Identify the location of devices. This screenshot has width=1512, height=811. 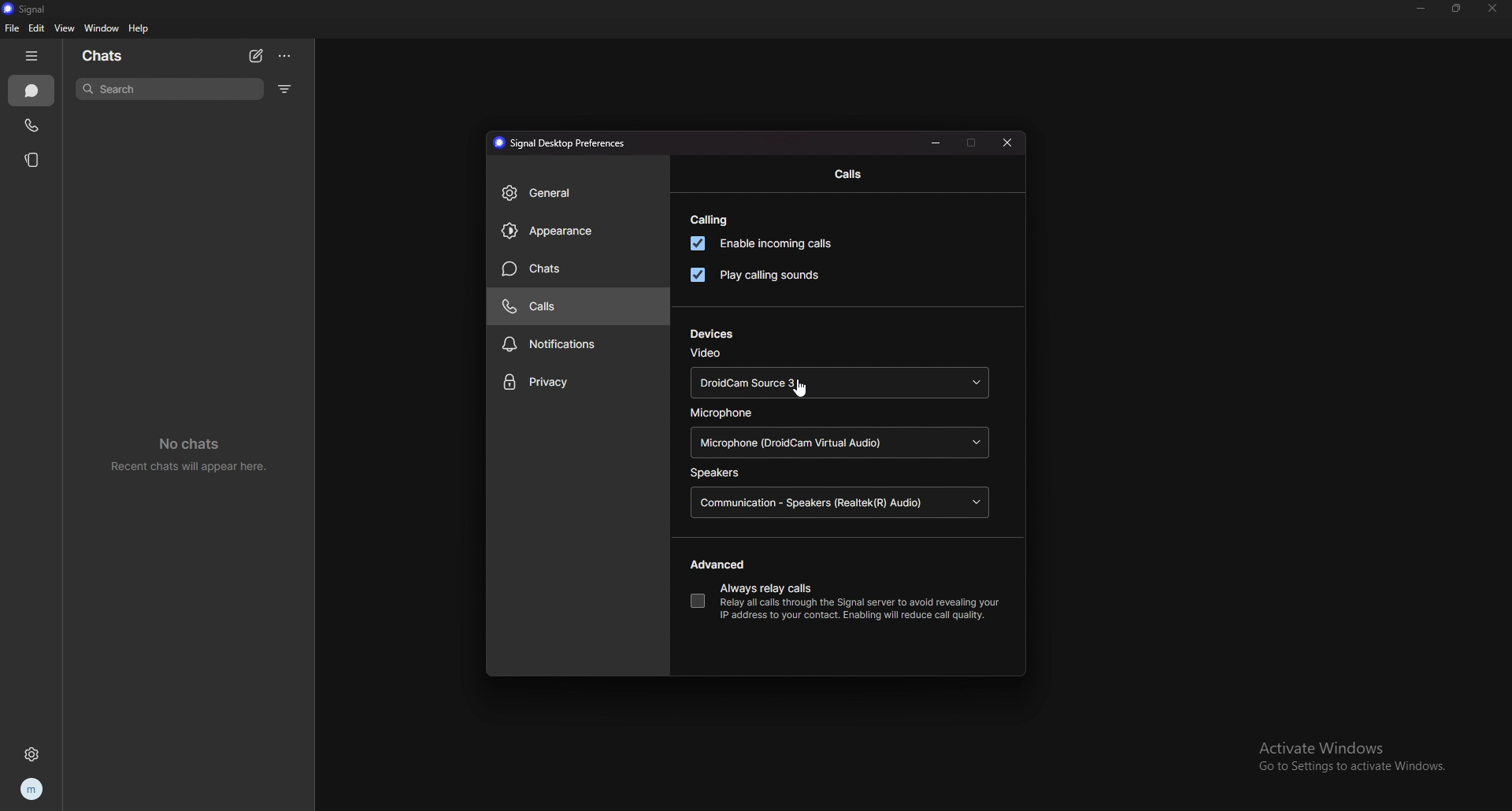
(712, 334).